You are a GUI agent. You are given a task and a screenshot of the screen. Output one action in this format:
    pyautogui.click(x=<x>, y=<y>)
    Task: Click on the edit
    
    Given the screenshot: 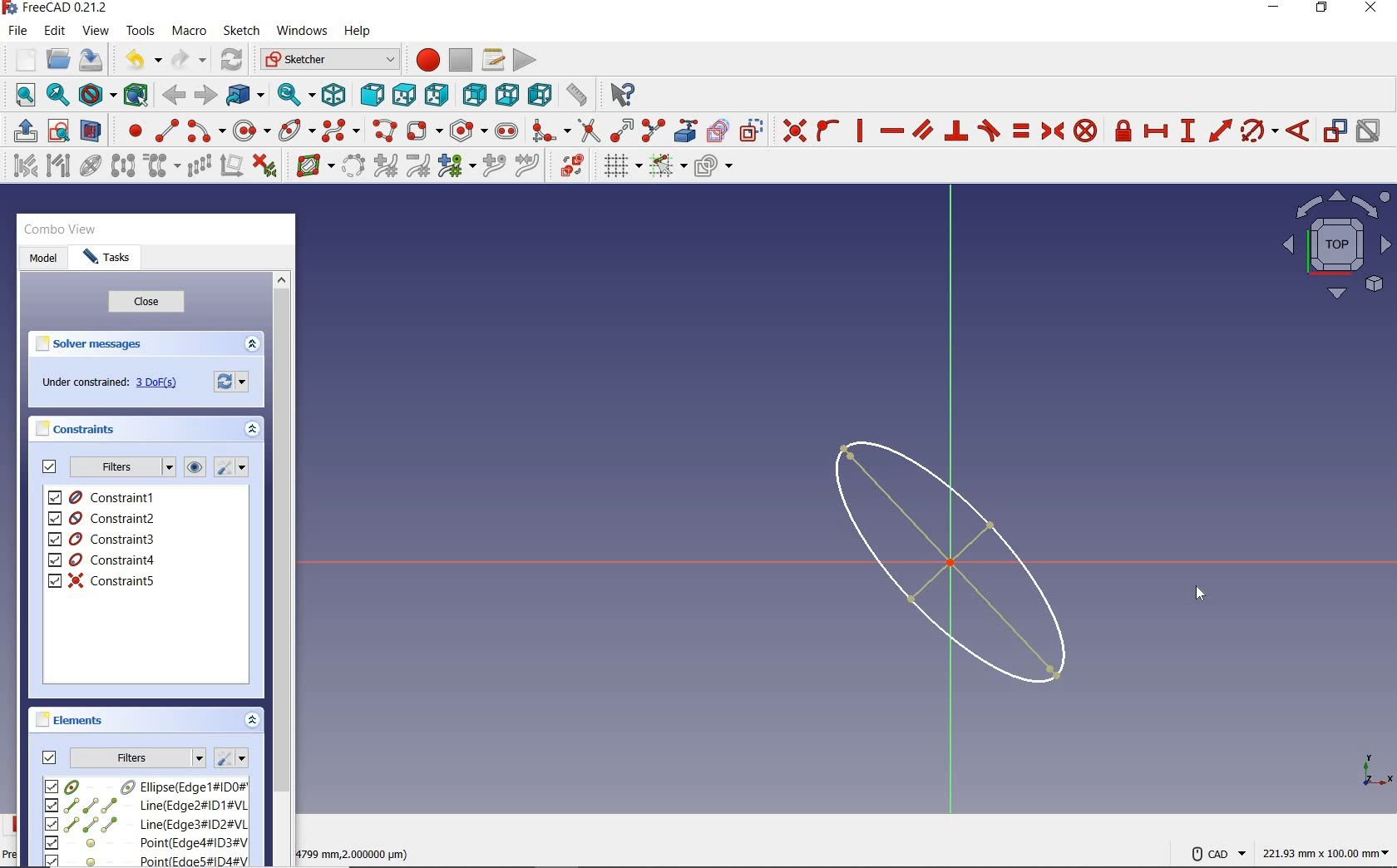 What is the action you would take?
    pyautogui.click(x=54, y=32)
    